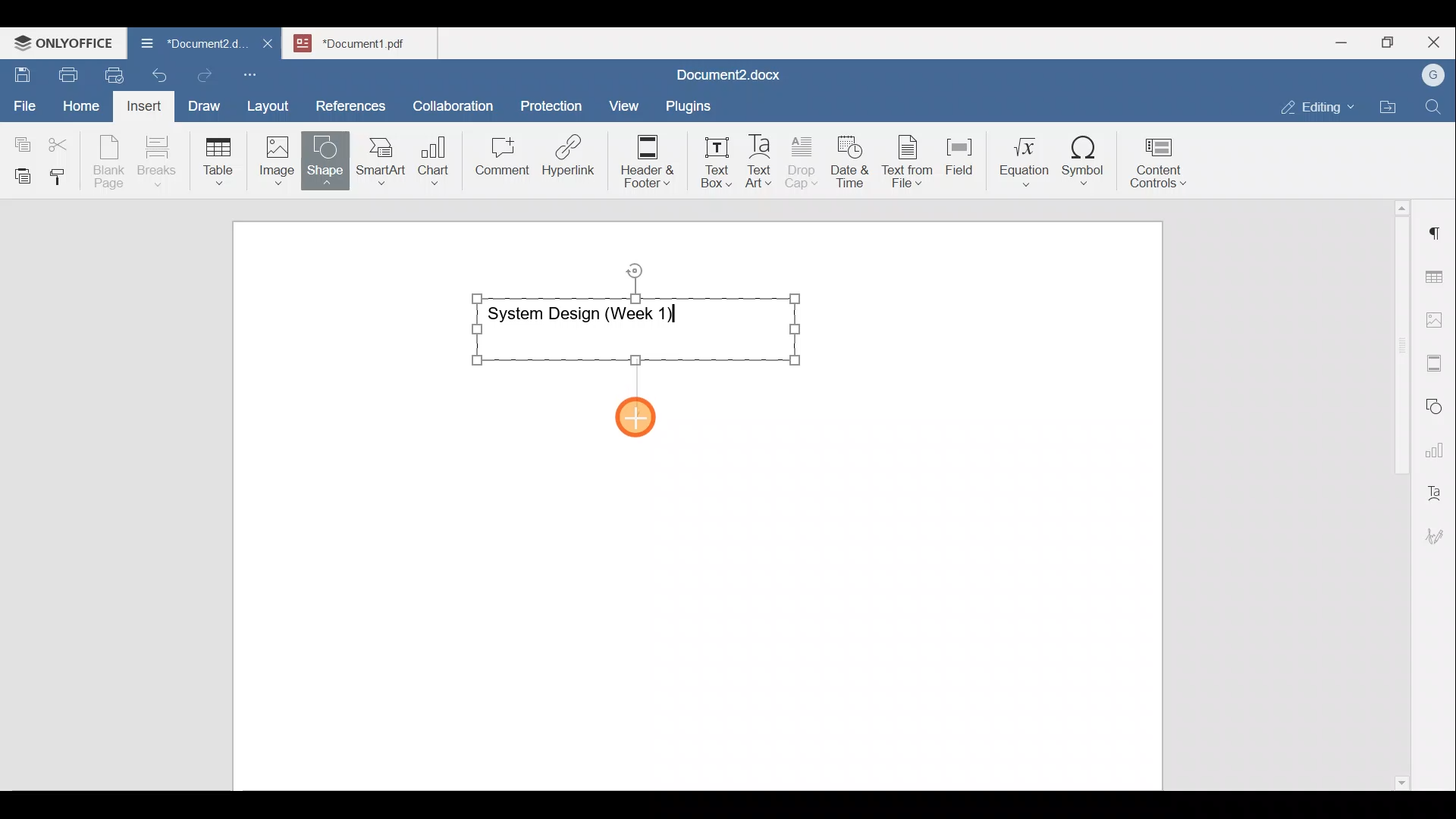  I want to click on Text box, so click(706, 162).